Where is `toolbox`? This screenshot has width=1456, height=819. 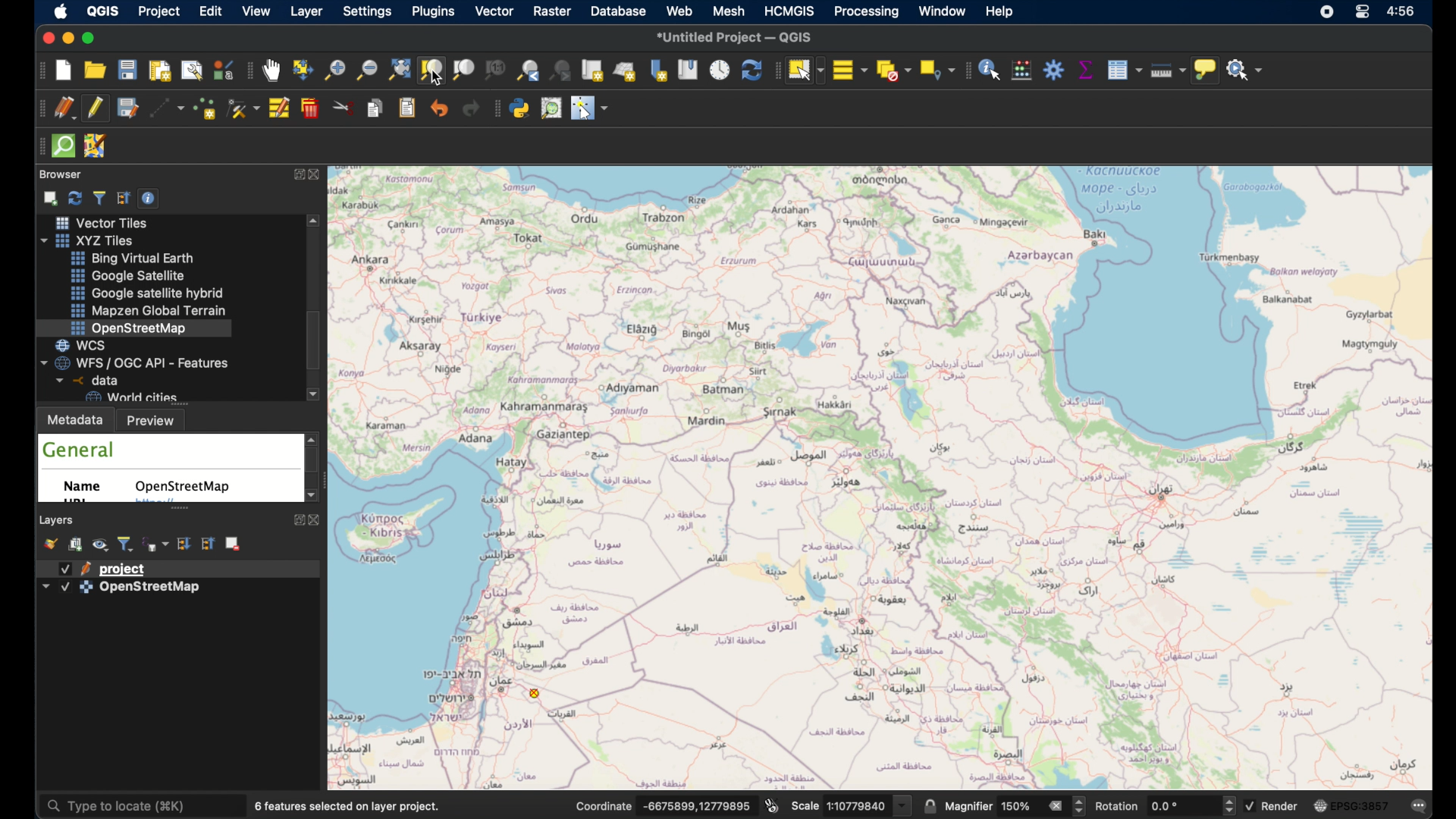
toolbox is located at coordinates (1053, 70).